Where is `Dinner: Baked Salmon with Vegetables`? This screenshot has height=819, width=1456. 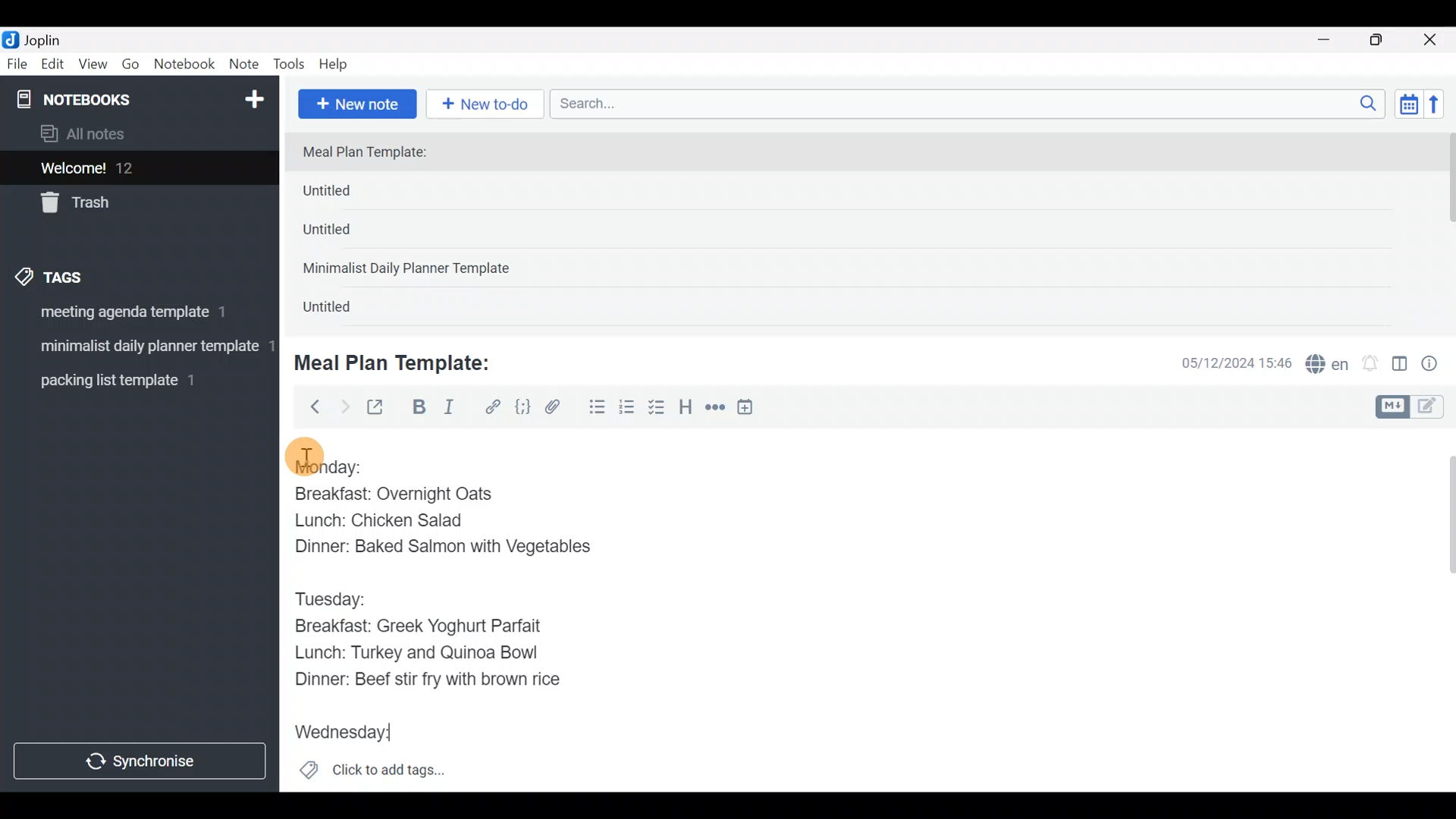
Dinner: Baked Salmon with Vegetables is located at coordinates (443, 548).